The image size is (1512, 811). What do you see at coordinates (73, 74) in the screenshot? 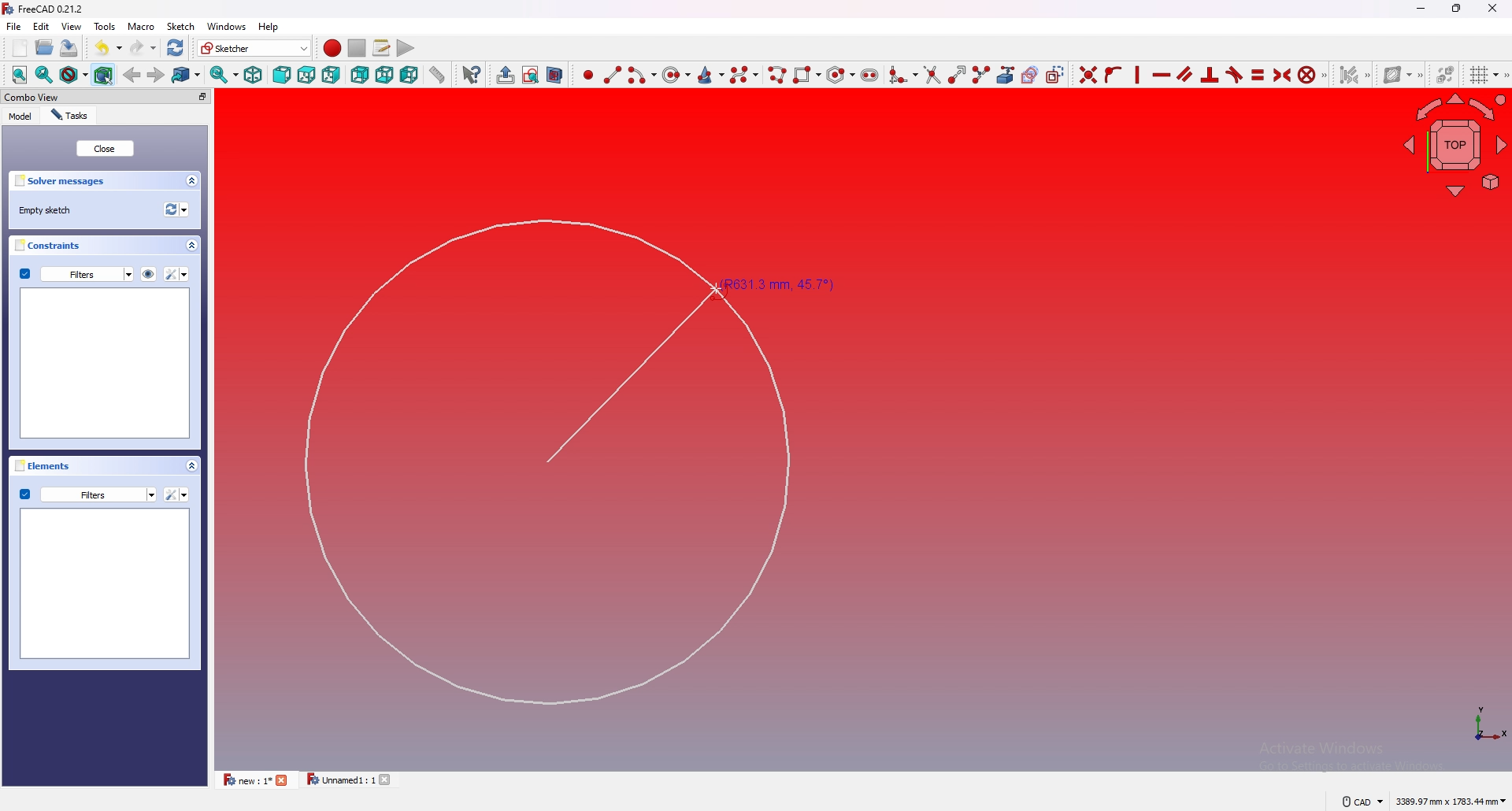
I see `draw style` at bounding box center [73, 74].